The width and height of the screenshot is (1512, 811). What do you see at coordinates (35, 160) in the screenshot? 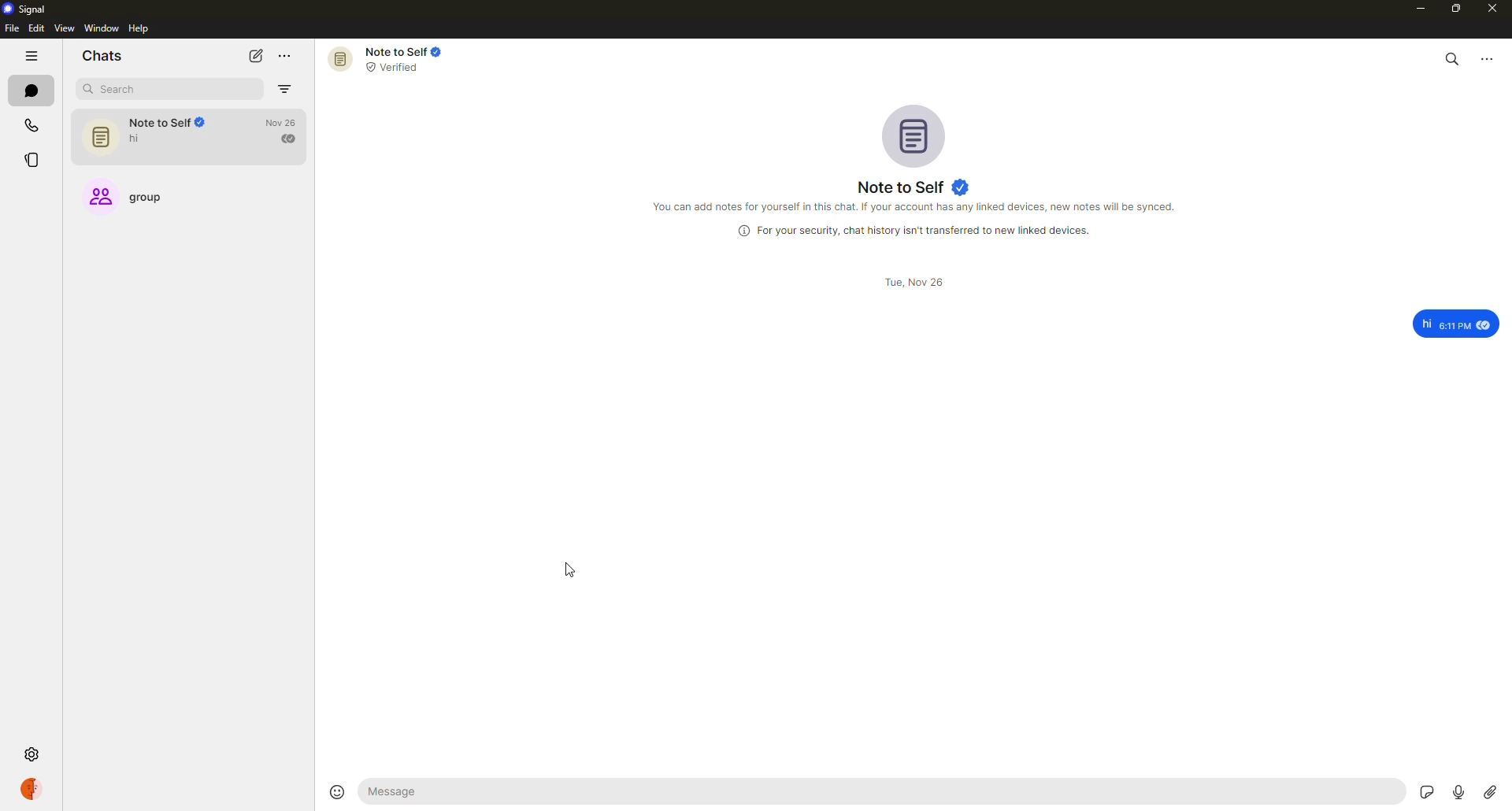
I see `stories` at bounding box center [35, 160].